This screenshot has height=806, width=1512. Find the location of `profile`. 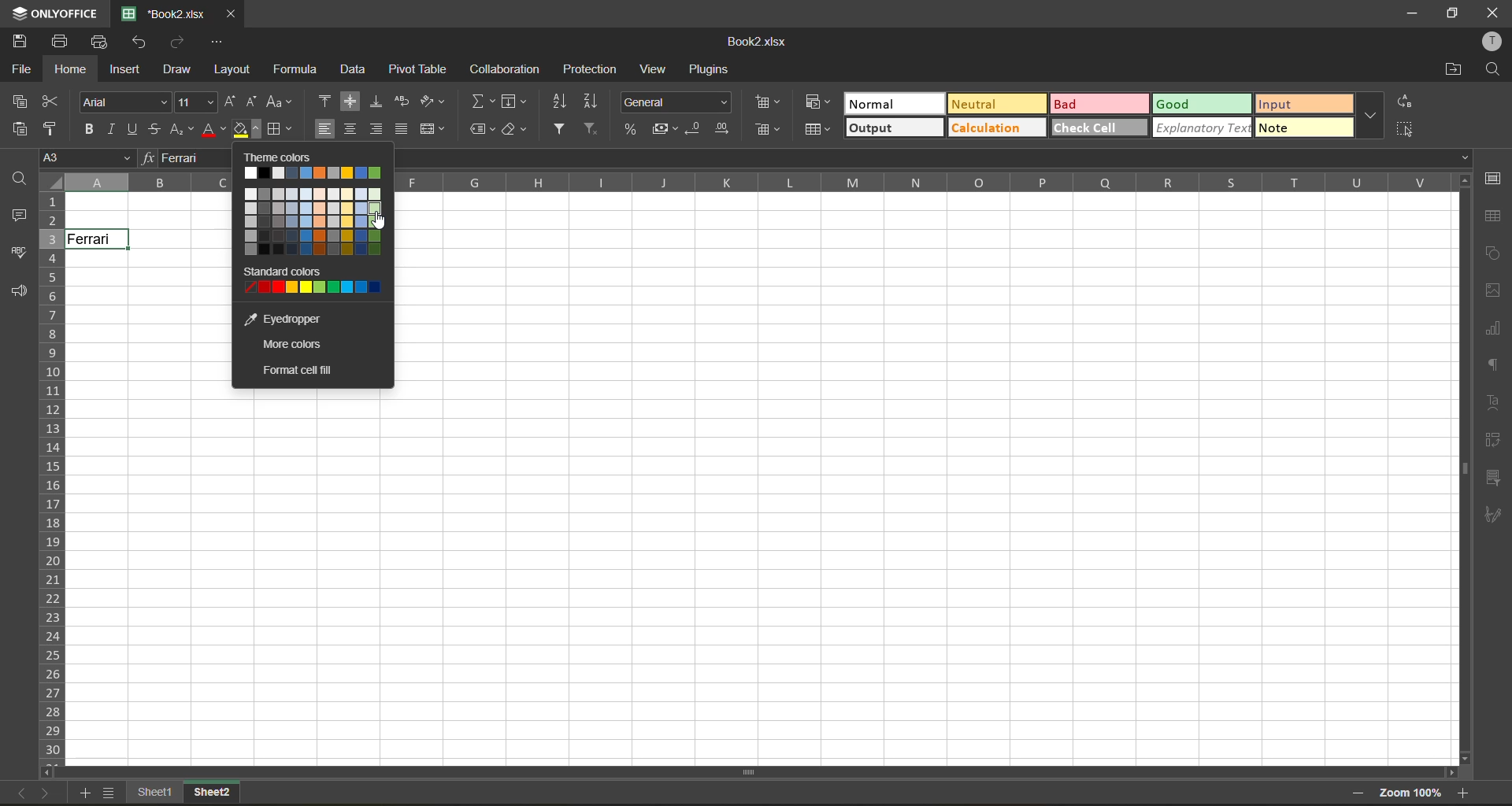

profile is located at coordinates (1495, 41).